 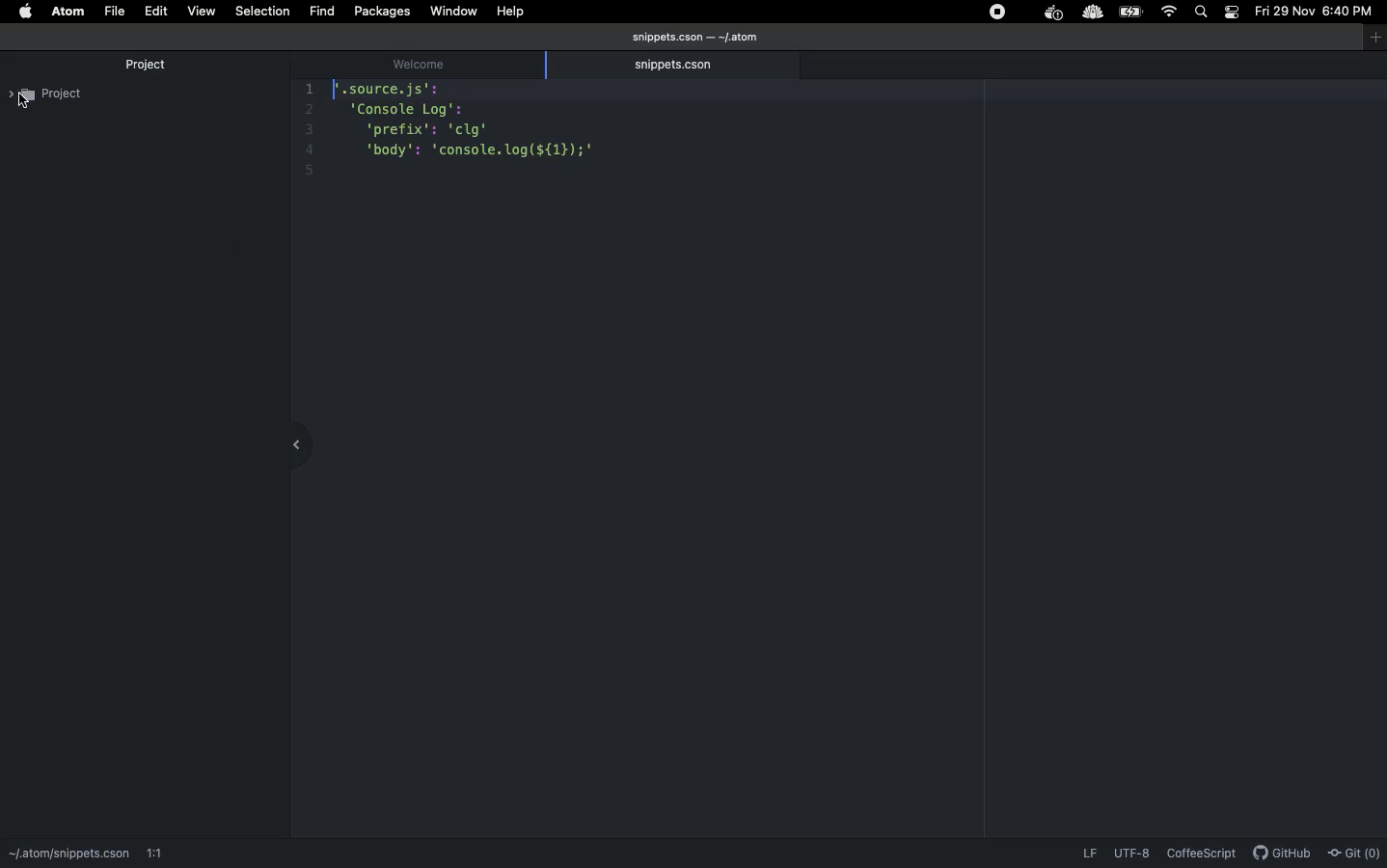 I want to click on UTF-8, so click(x=1129, y=852).